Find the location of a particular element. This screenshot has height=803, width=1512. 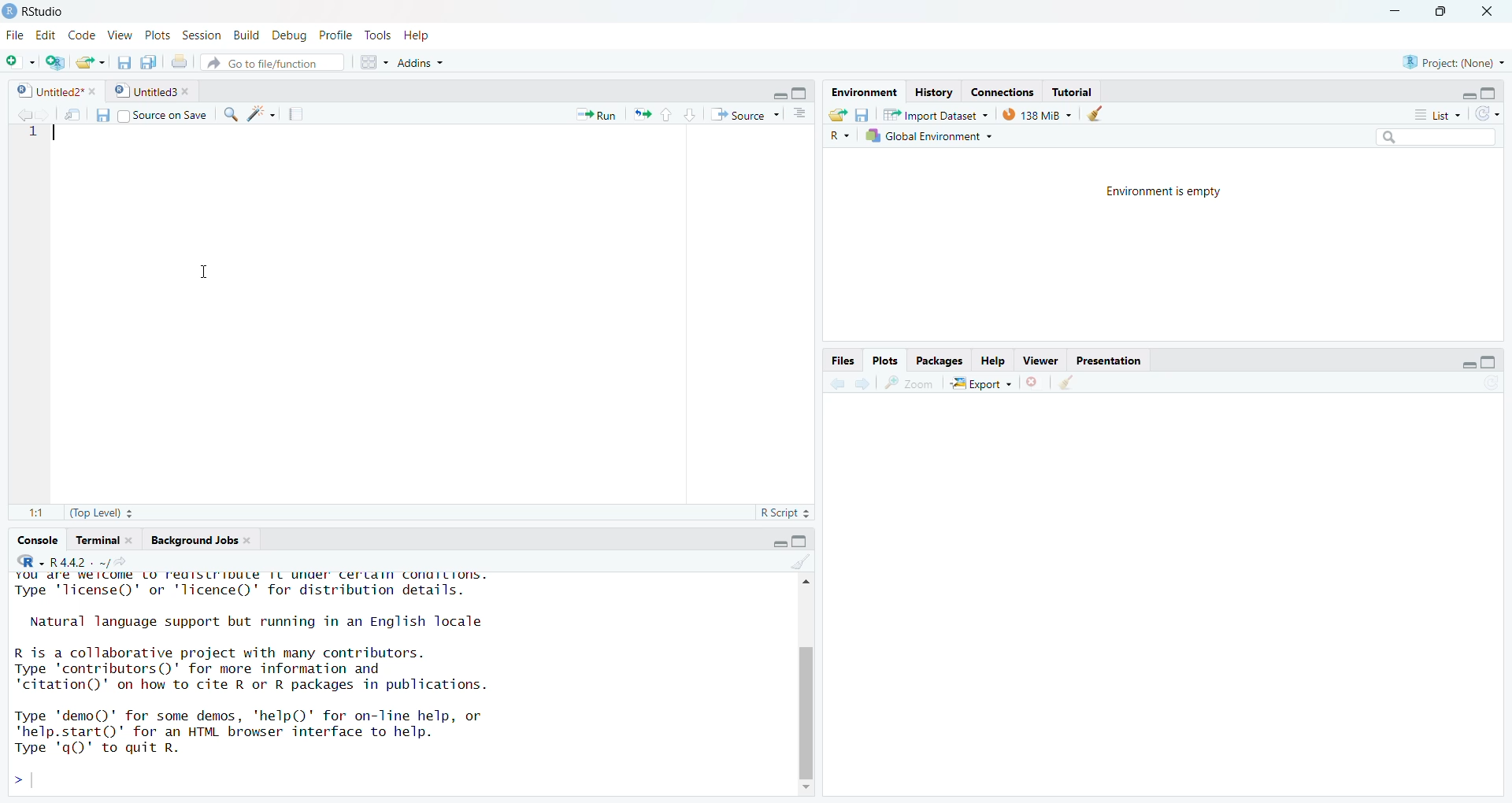

Untitled2 is located at coordinates (54, 91).